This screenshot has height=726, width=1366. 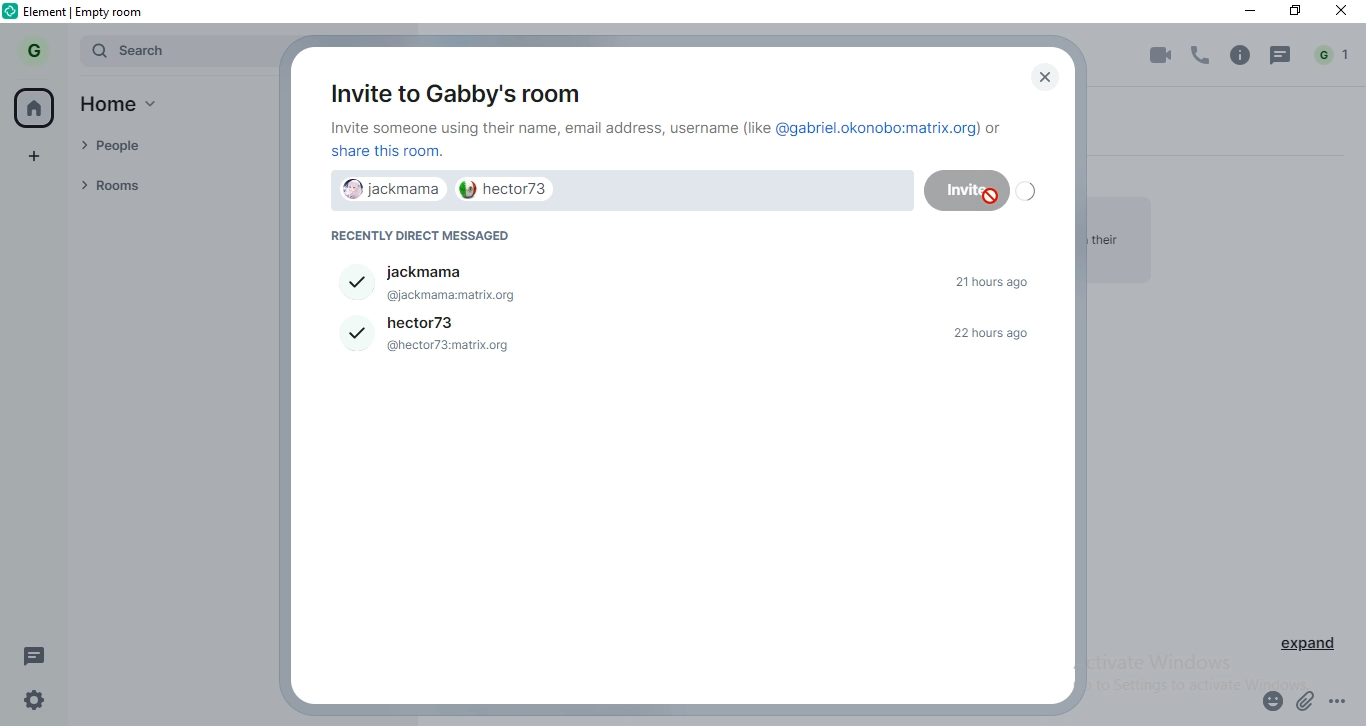 I want to click on restore, so click(x=1295, y=13).